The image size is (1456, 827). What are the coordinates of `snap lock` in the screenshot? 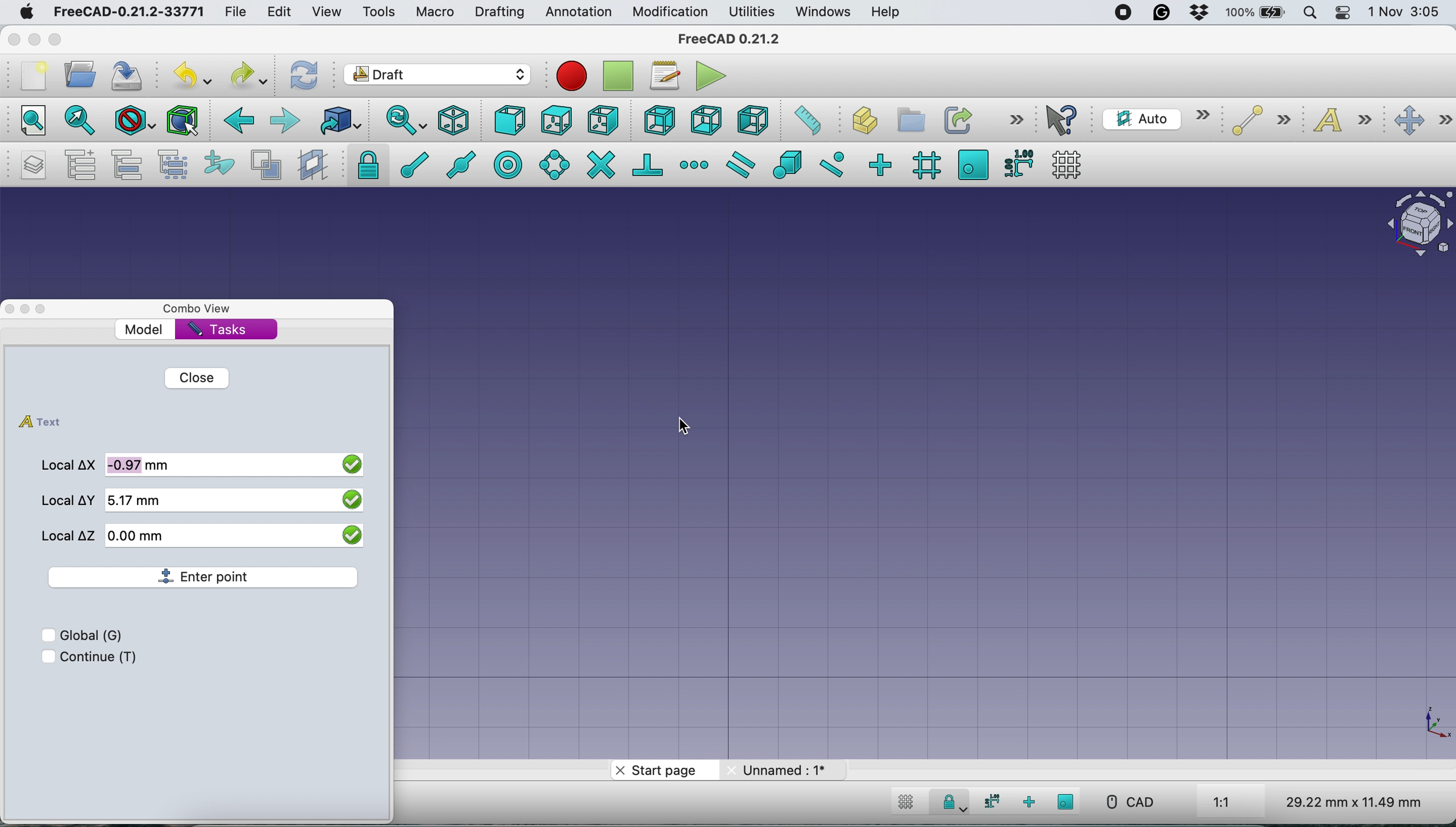 It's located at (363, 165).